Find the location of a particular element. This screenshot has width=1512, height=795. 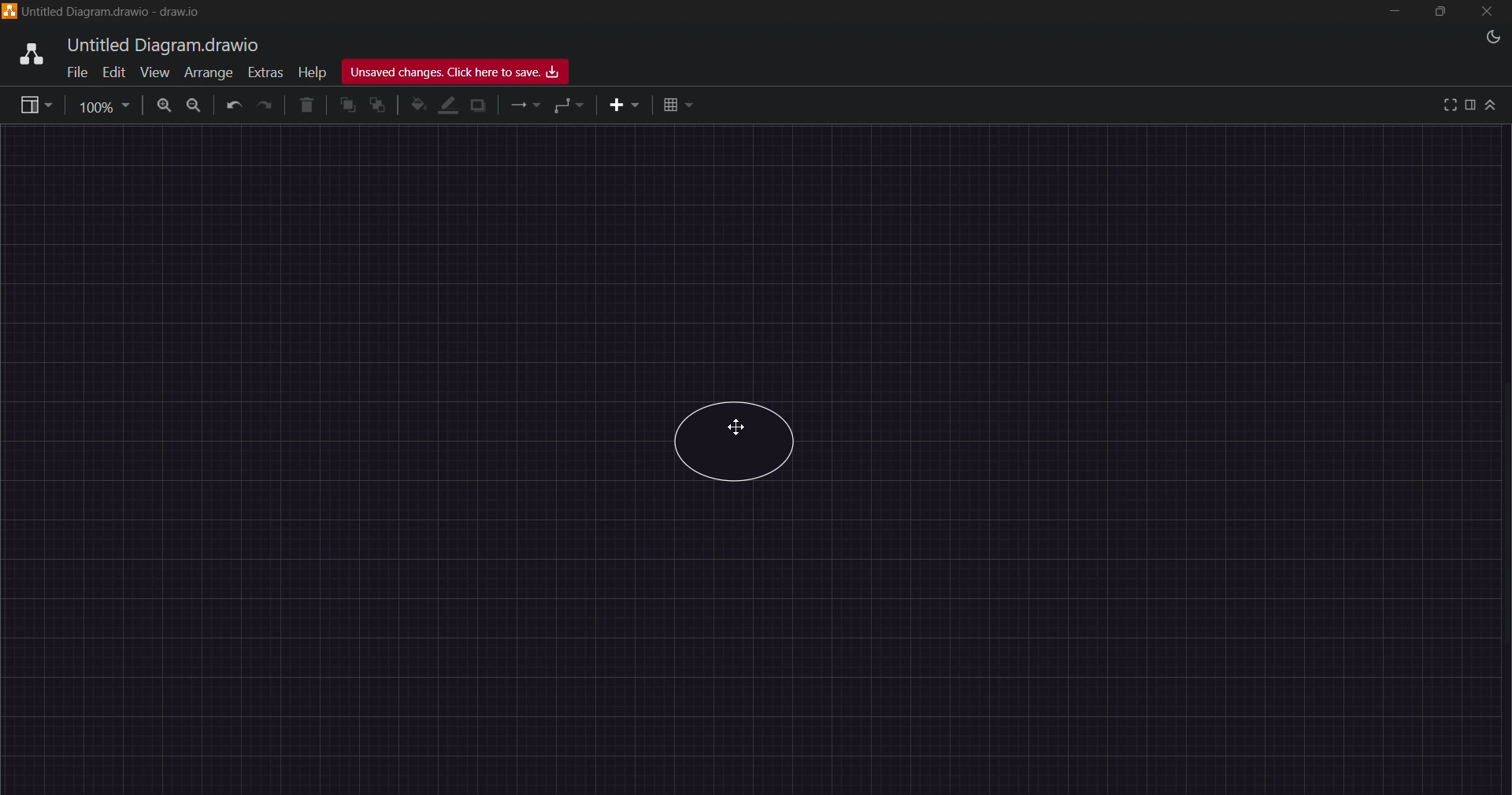

delete is located at coordinates (307, 107).